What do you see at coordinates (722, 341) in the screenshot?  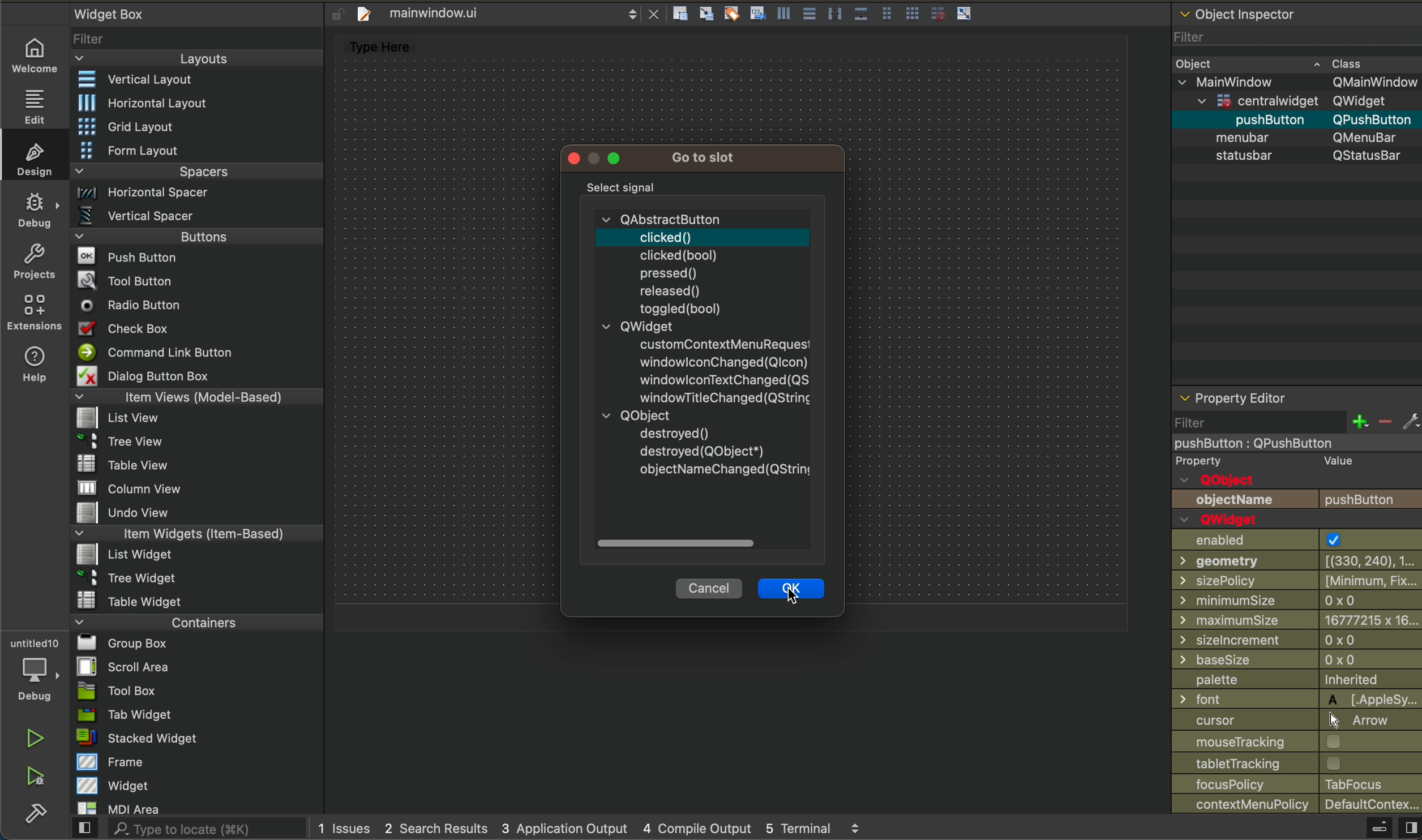 I see `customContextMenuReaues` at bounding box center [722, 341].